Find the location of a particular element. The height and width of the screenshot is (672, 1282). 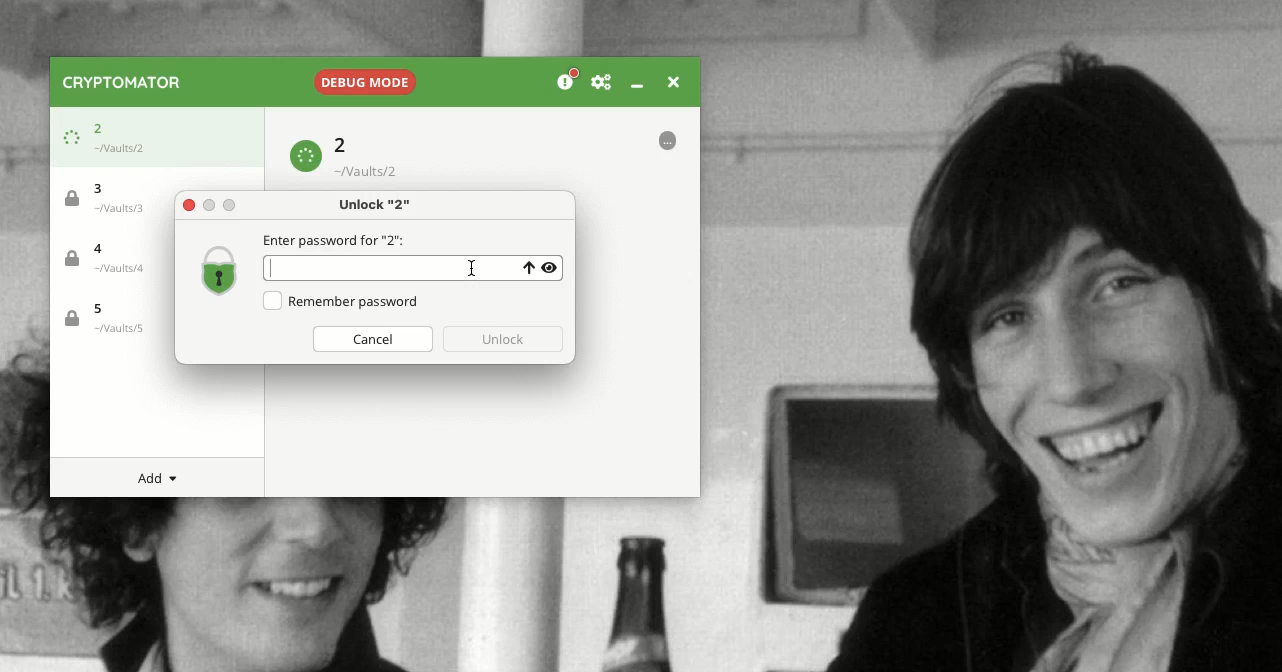

Cryptomator is located at coordinates (123, 82).